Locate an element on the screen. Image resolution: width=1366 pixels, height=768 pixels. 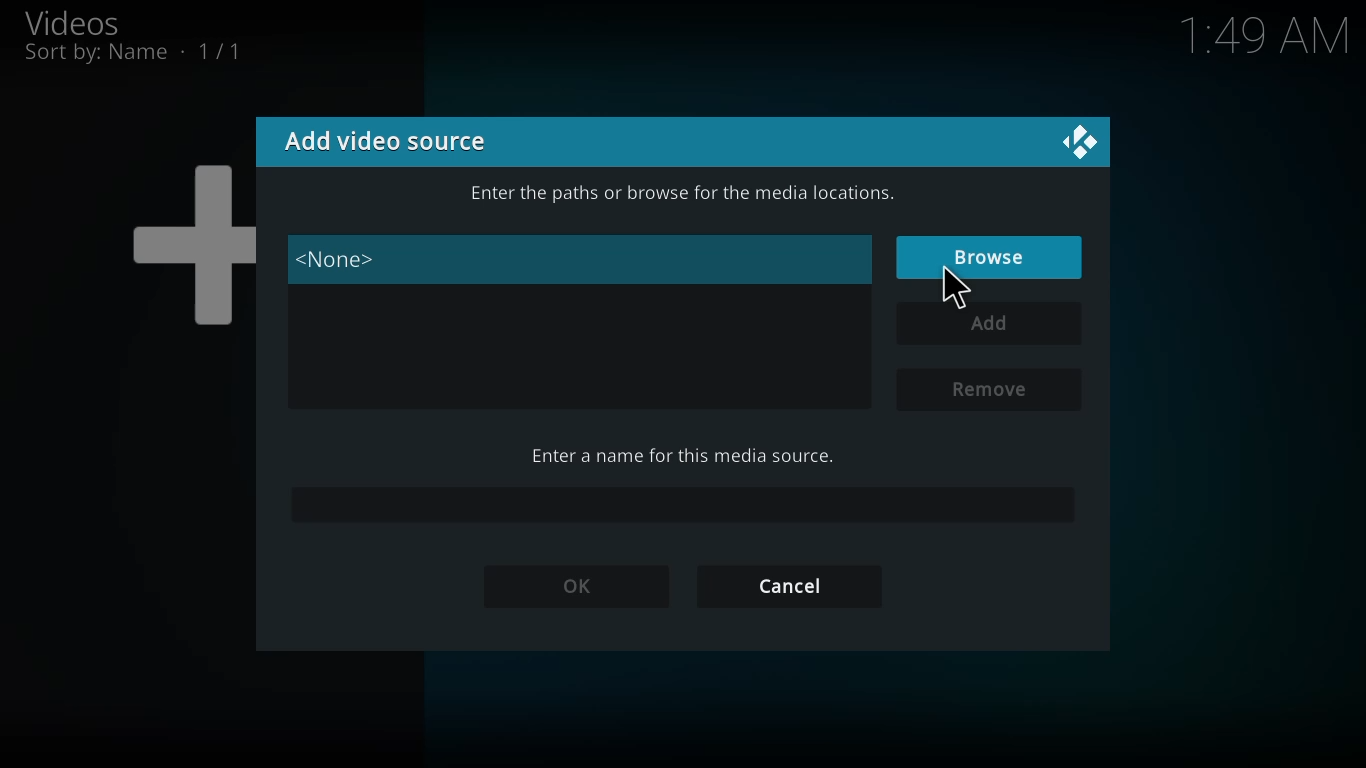
time is located at coordinates (1266, 39).